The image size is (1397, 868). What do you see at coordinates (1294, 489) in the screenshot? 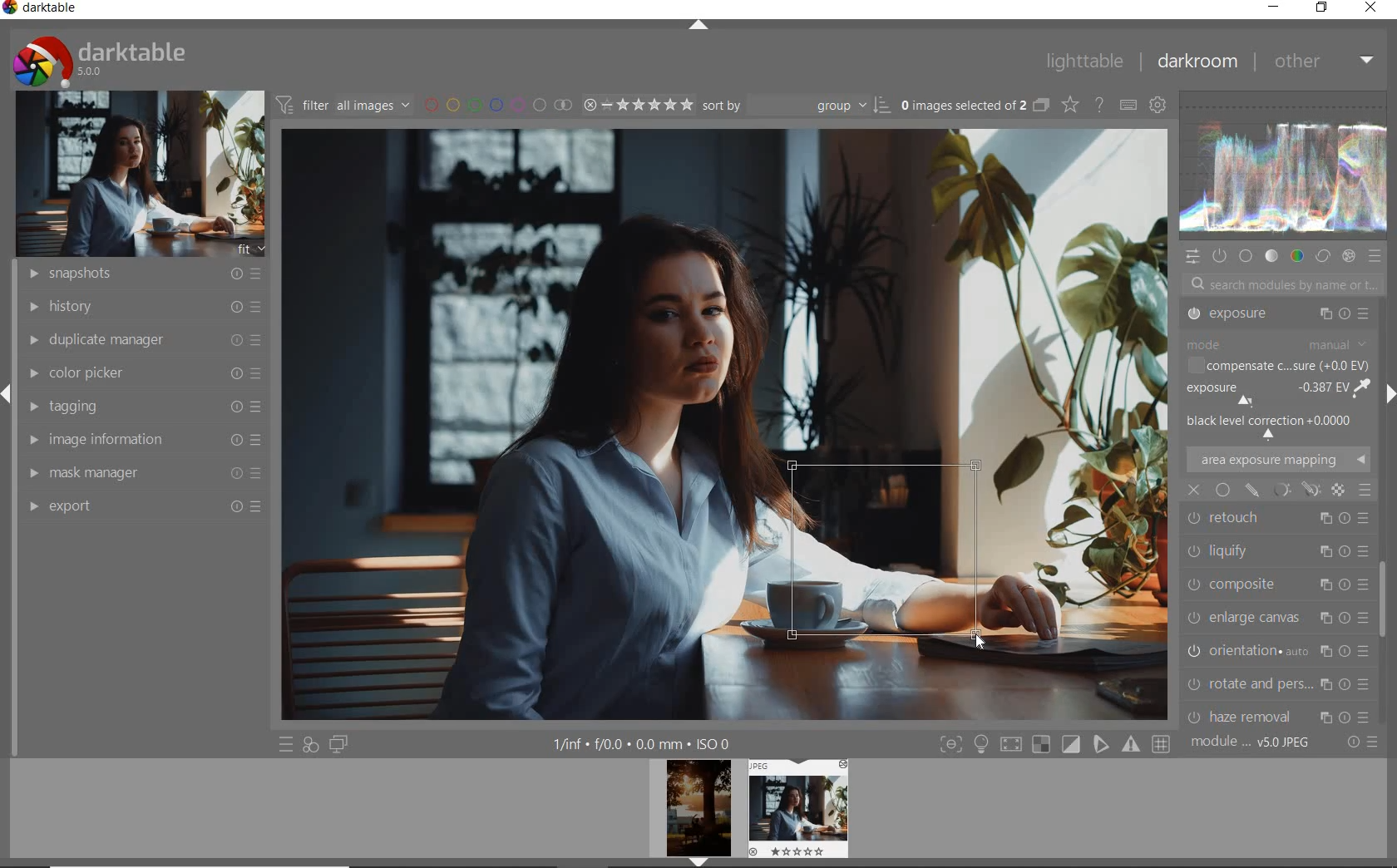
I see `mask options` at bounding box center [1294, 489].